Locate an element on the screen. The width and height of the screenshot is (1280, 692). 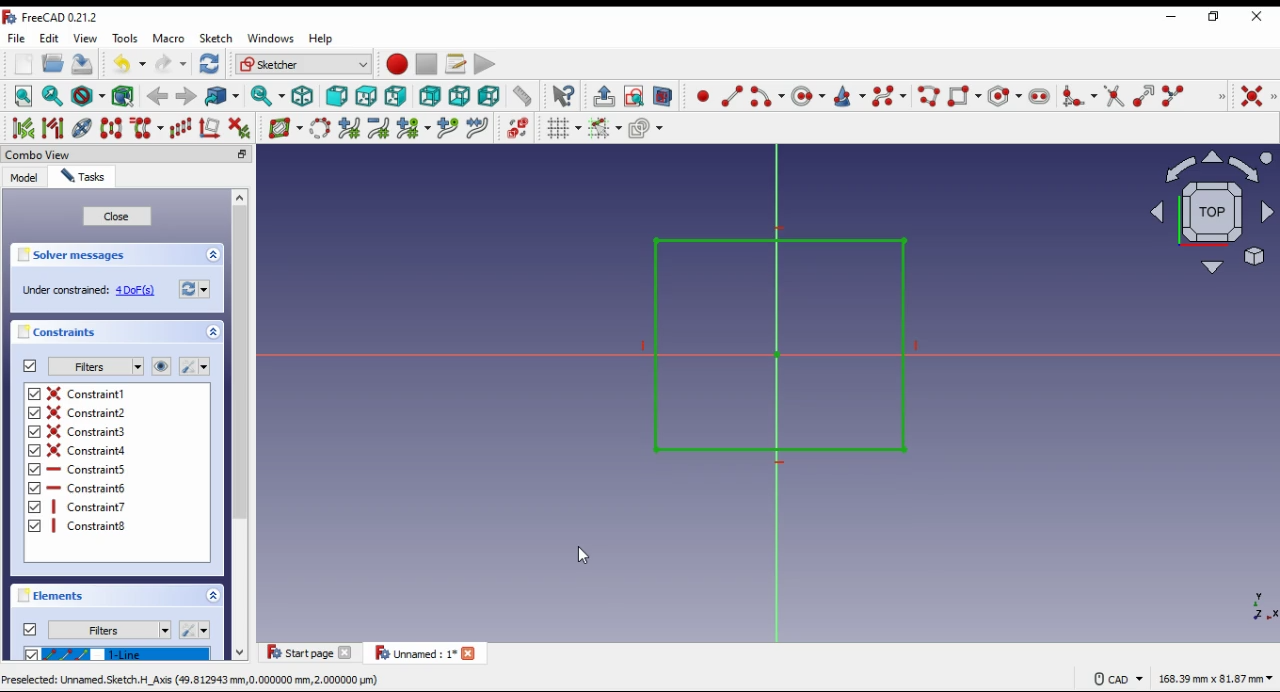
undo is located at coordinates (130, 64).